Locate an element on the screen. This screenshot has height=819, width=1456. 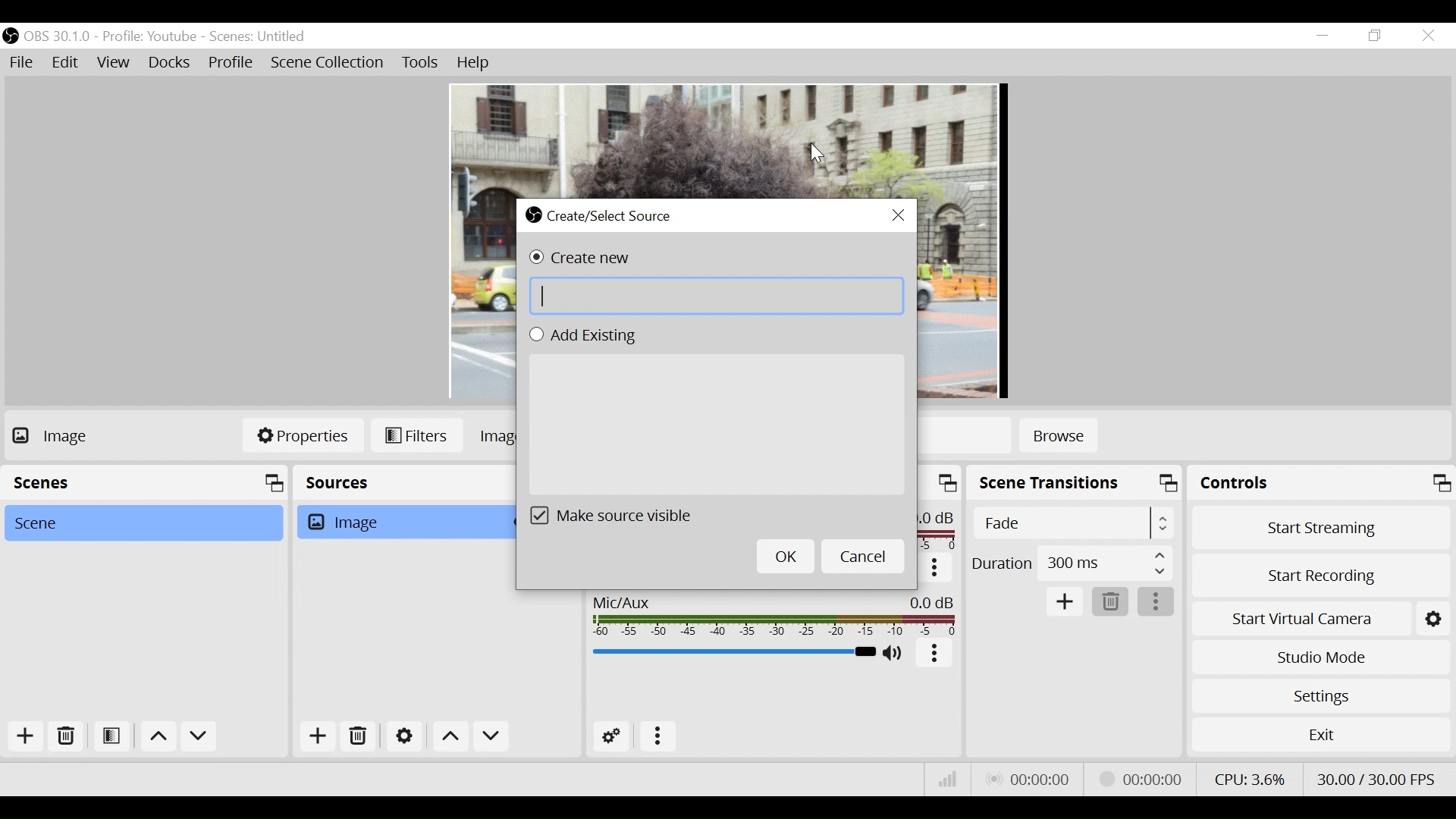
Controls is located at coordinates (1323, 482).